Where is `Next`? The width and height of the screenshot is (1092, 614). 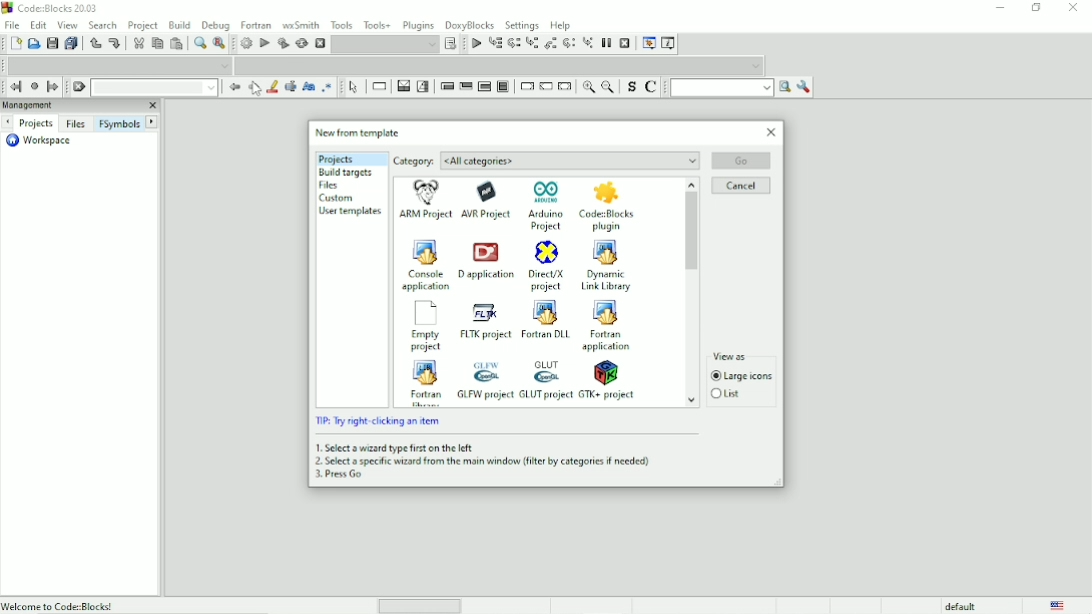
Next is located at coordinates (254, 87).